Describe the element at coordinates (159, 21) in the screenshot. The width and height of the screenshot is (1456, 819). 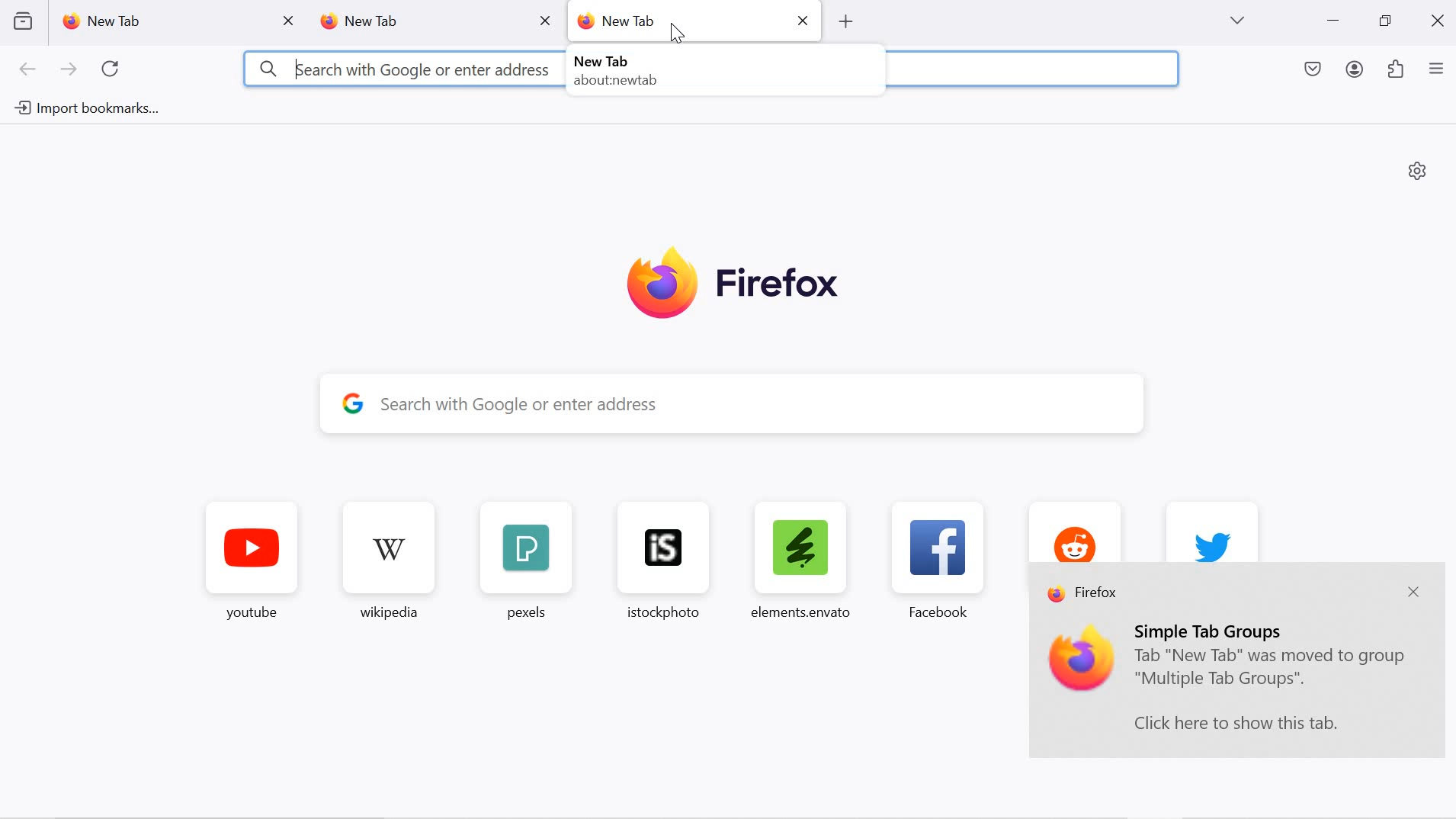
I see `new tab` at that location.